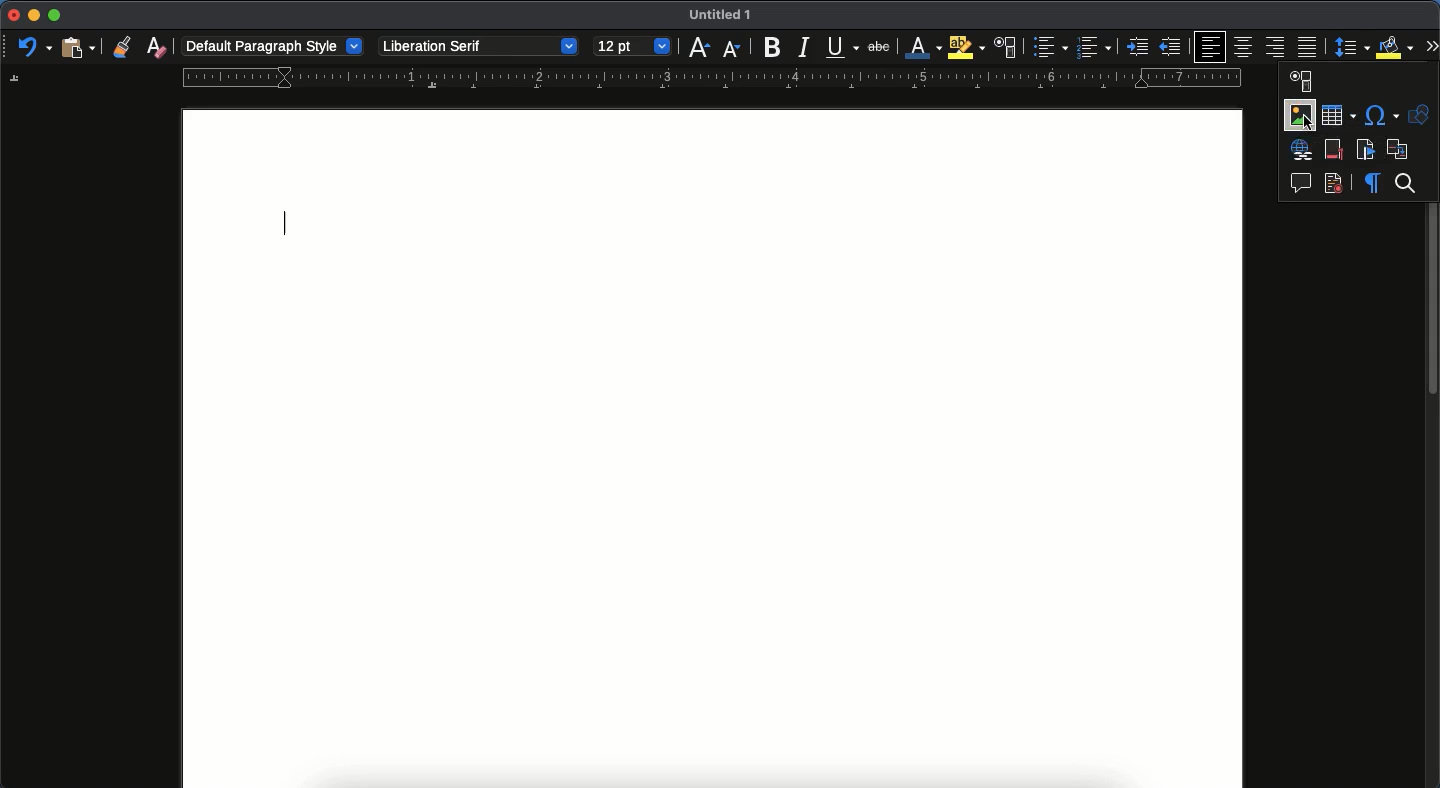  What do you see at coordinates (697, 48) in the screenshot?
I see `increase size` at bounding box center [697, 48].